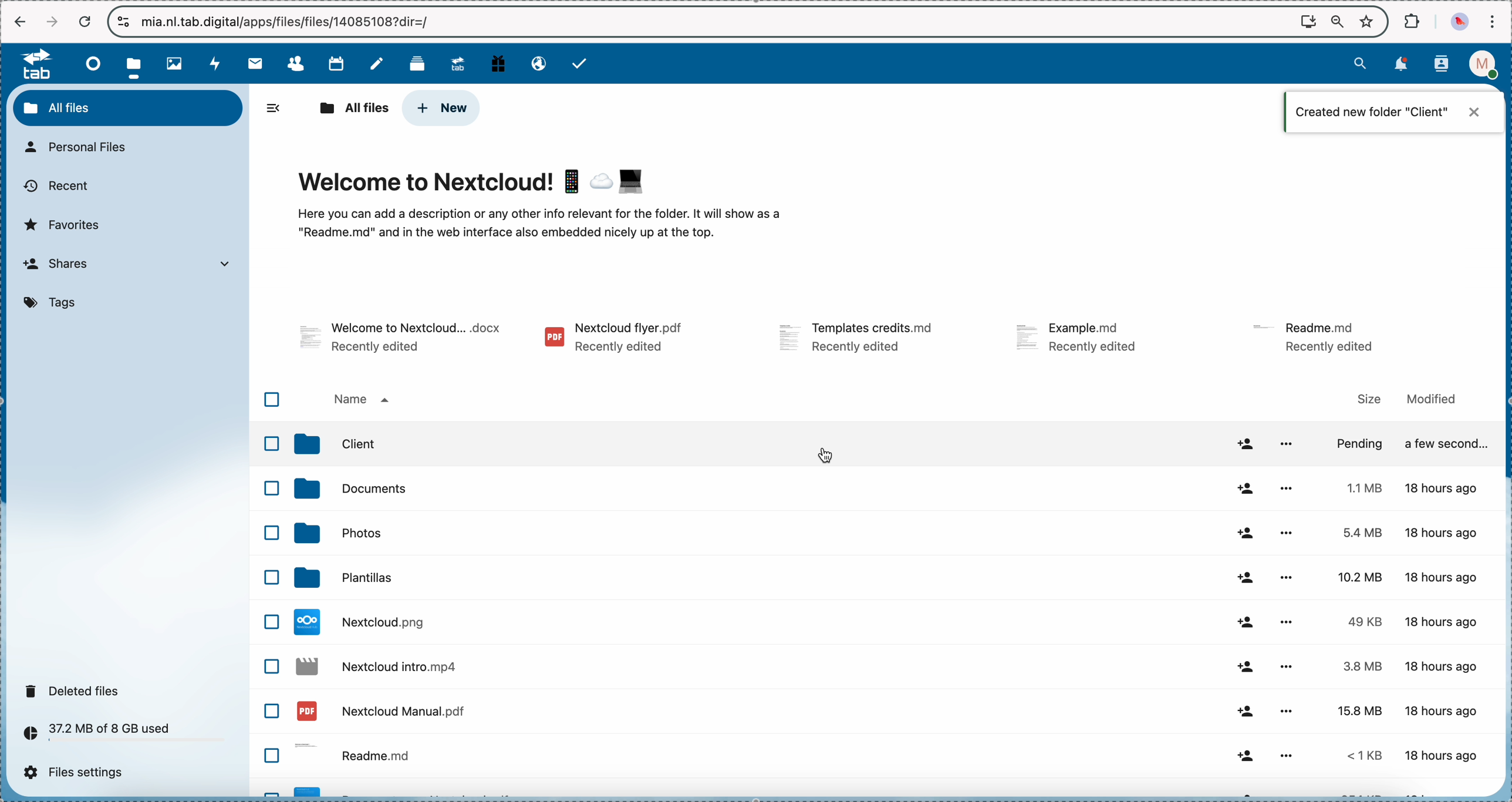  What do you see at coordinates (1338, 22) in the screenshot?
I see `zoom out` at bounding box center [1338, 22].